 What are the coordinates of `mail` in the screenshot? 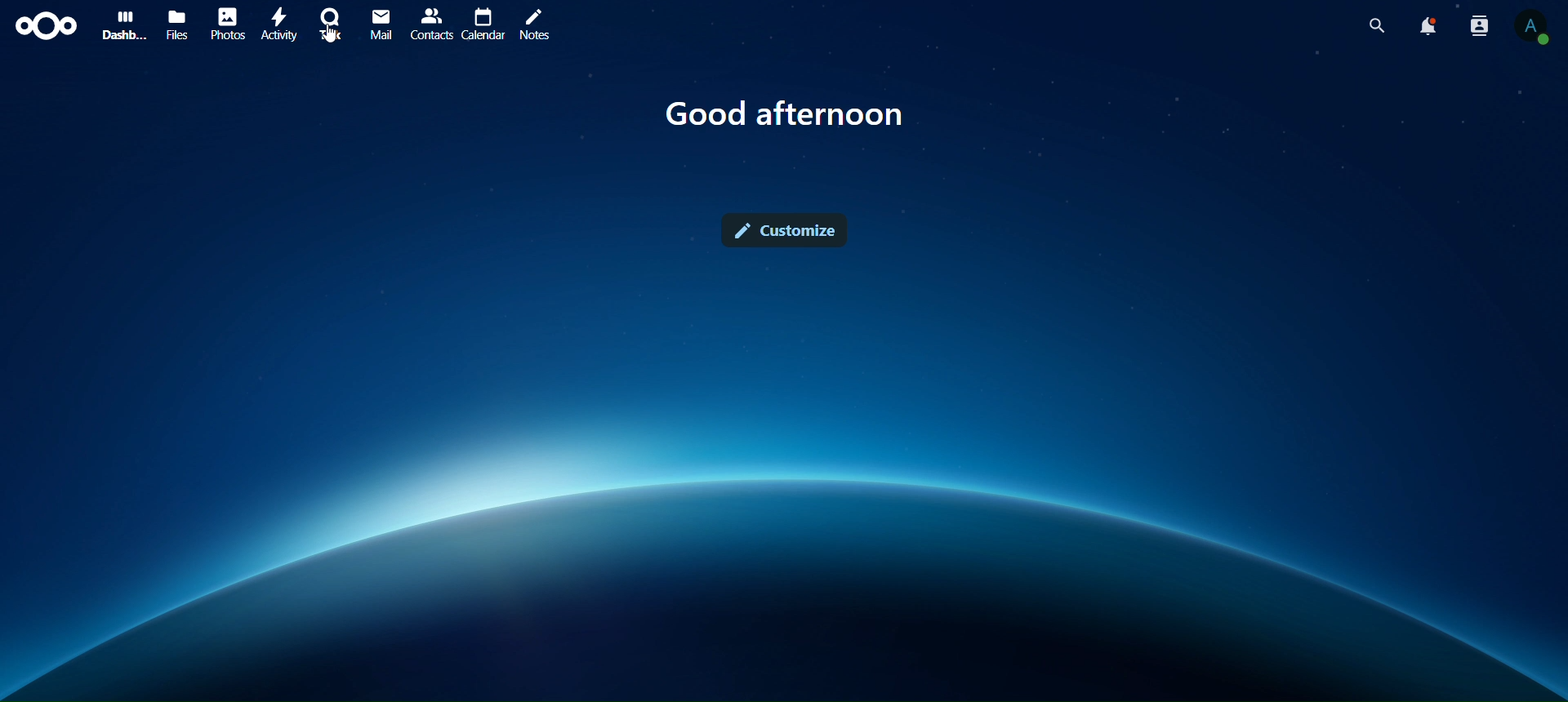 It's located at (383, 24).